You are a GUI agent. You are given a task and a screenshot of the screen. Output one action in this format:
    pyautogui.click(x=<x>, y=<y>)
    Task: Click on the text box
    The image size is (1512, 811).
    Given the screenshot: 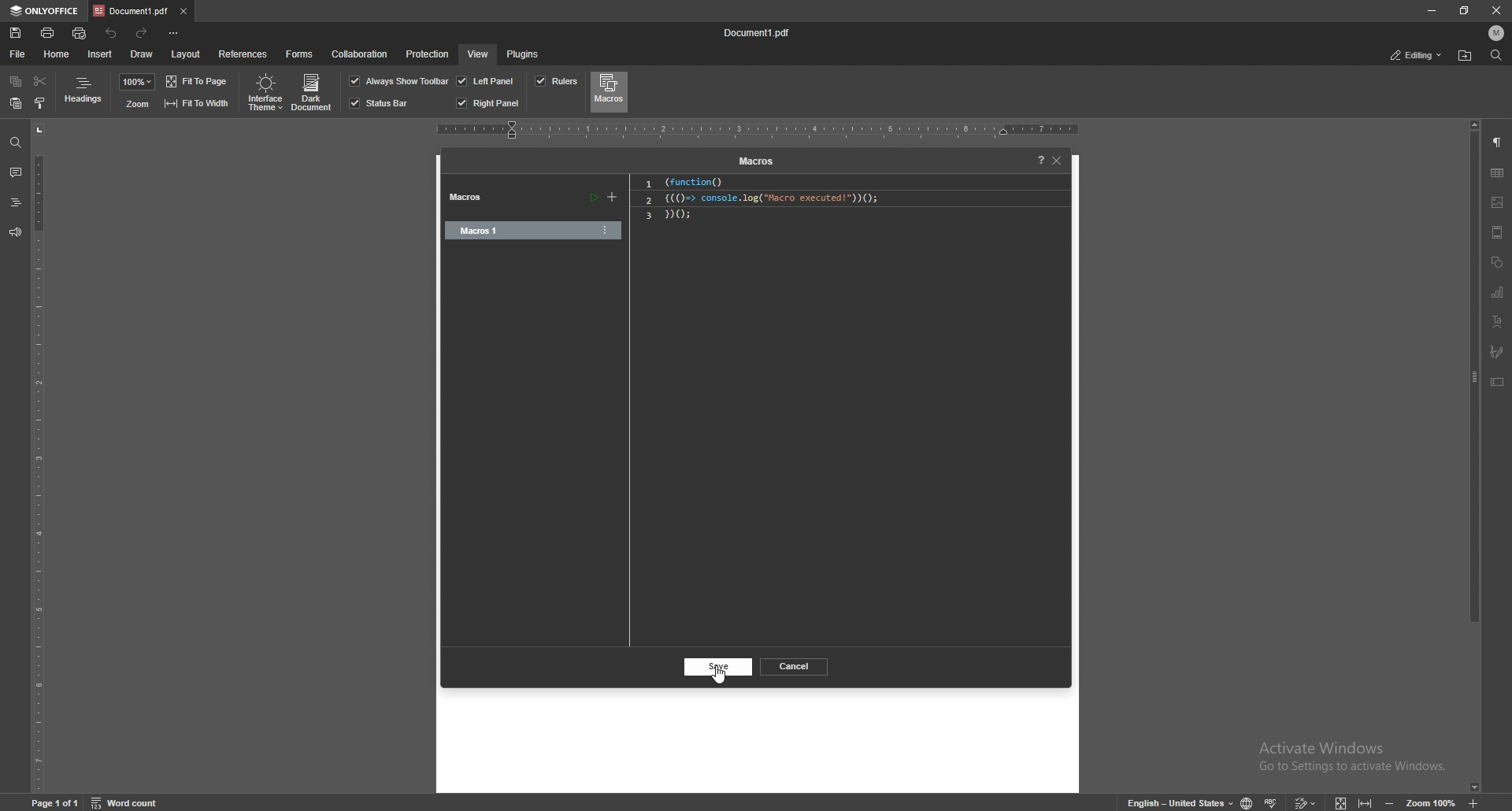 What is the action you would take?
    pyautogui.click(x=1498, y=381)
    